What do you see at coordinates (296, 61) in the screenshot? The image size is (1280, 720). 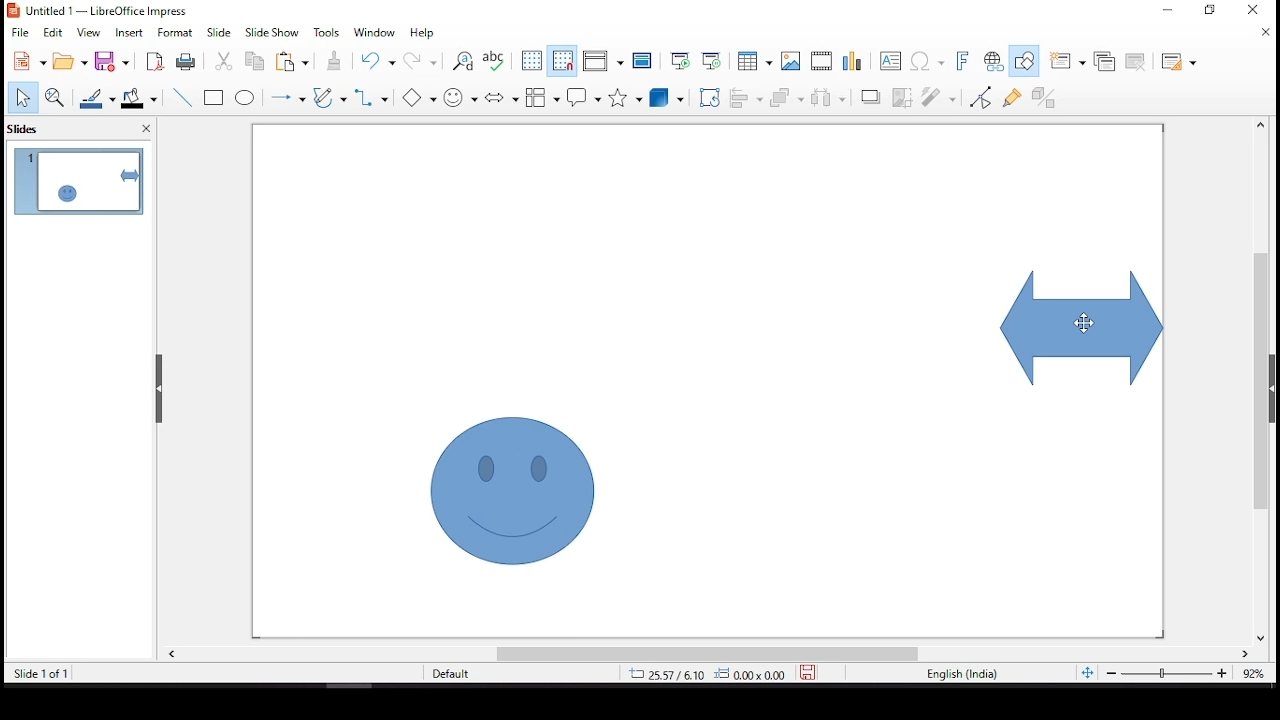 I see `paste` at bounding box center [296, 61].